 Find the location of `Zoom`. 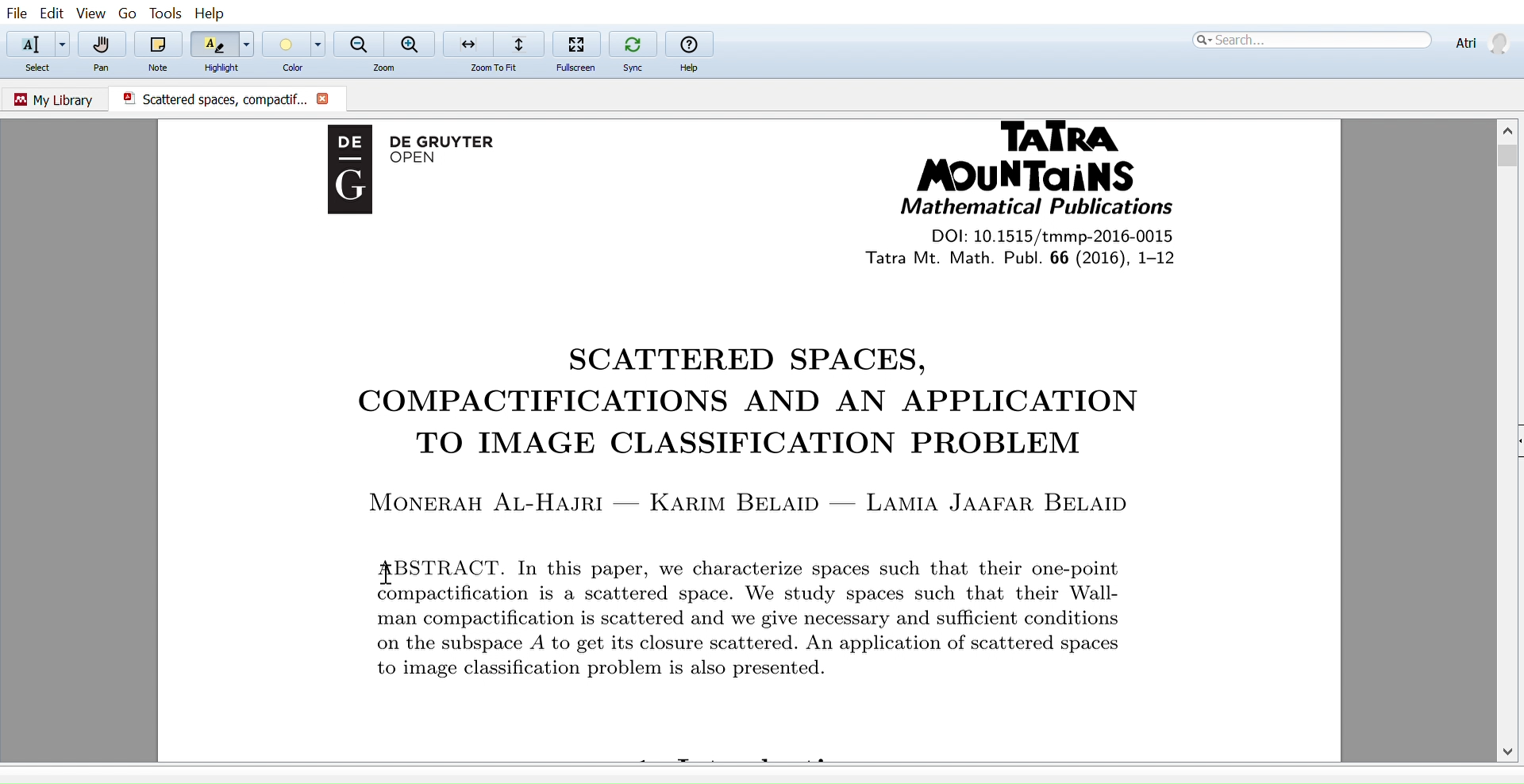

Zoom is located at coordinates (388, 68).